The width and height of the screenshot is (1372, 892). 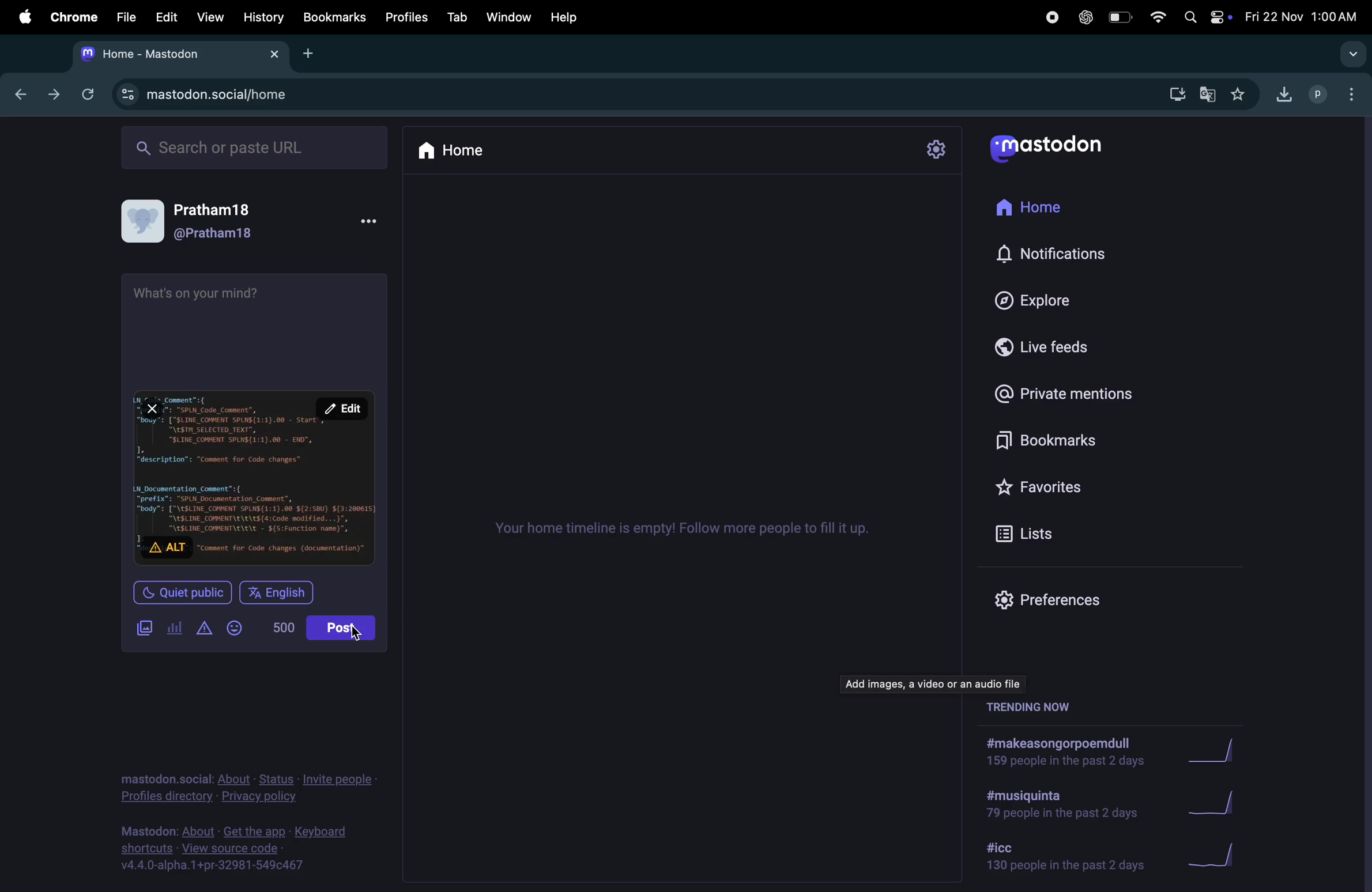 I want to click on mastodon, so click(x=147, y=832).